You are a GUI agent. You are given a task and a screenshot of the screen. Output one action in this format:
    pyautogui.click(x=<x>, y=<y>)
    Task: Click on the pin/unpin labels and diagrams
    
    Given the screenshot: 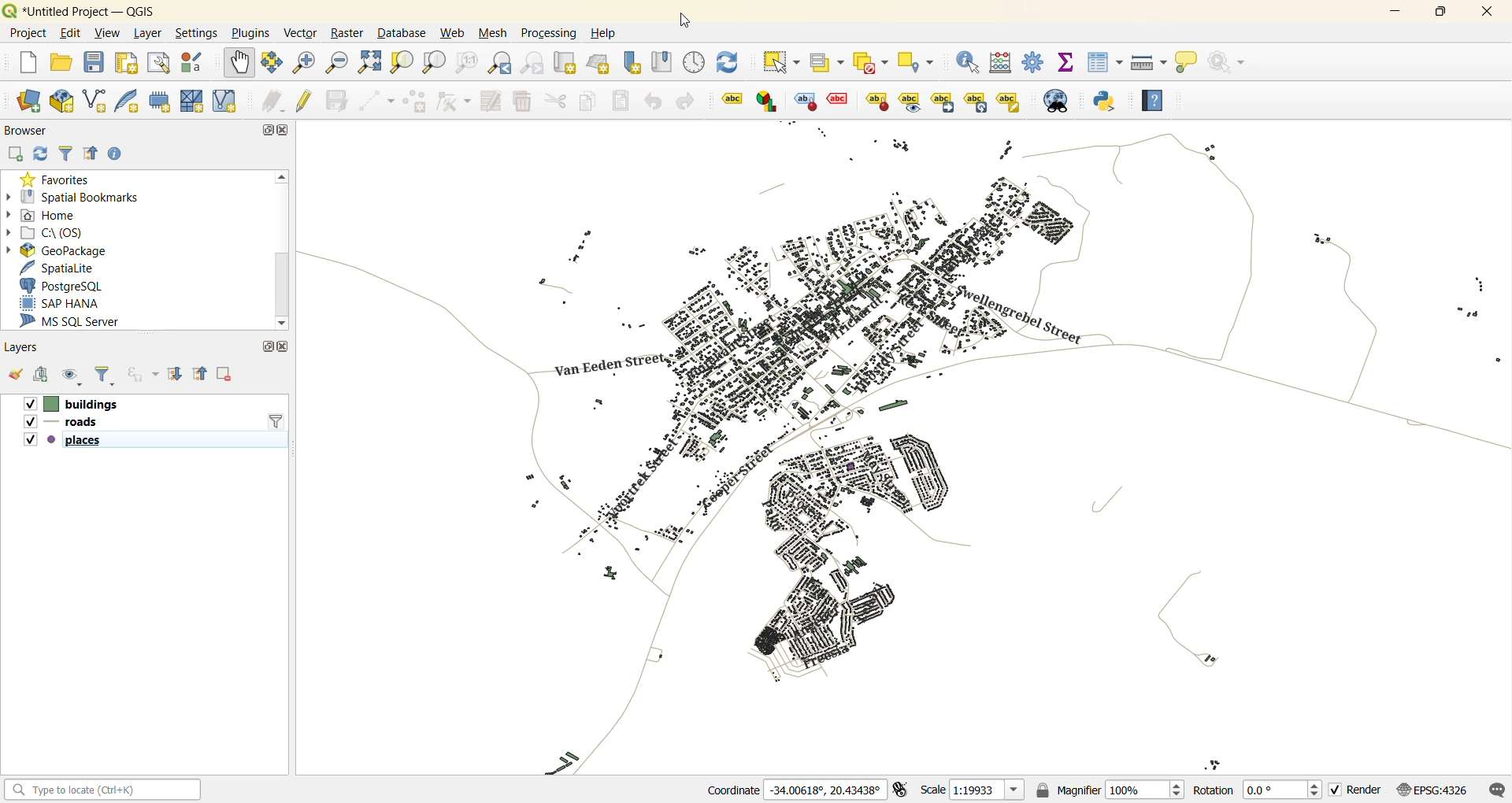 What is the action you would take?
    pyautogui.click(x=876, y=102)
    